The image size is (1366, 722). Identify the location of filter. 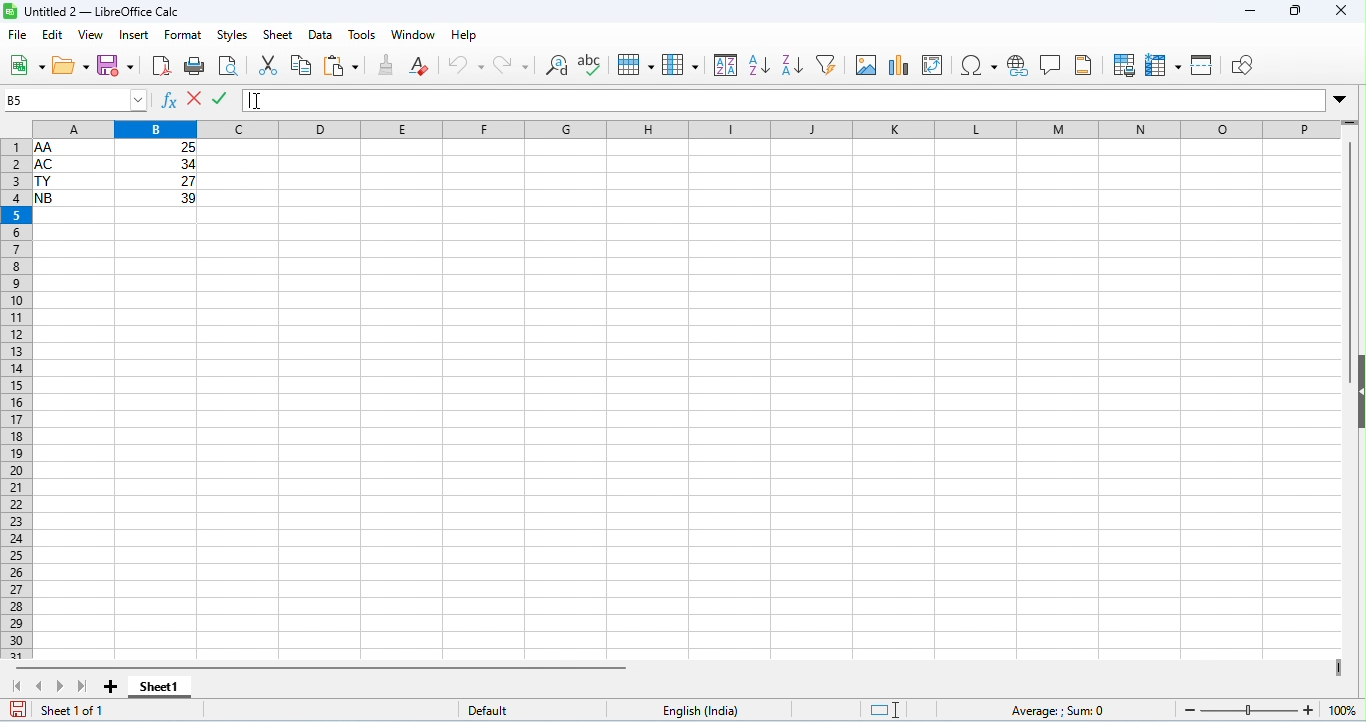
(830, 63).